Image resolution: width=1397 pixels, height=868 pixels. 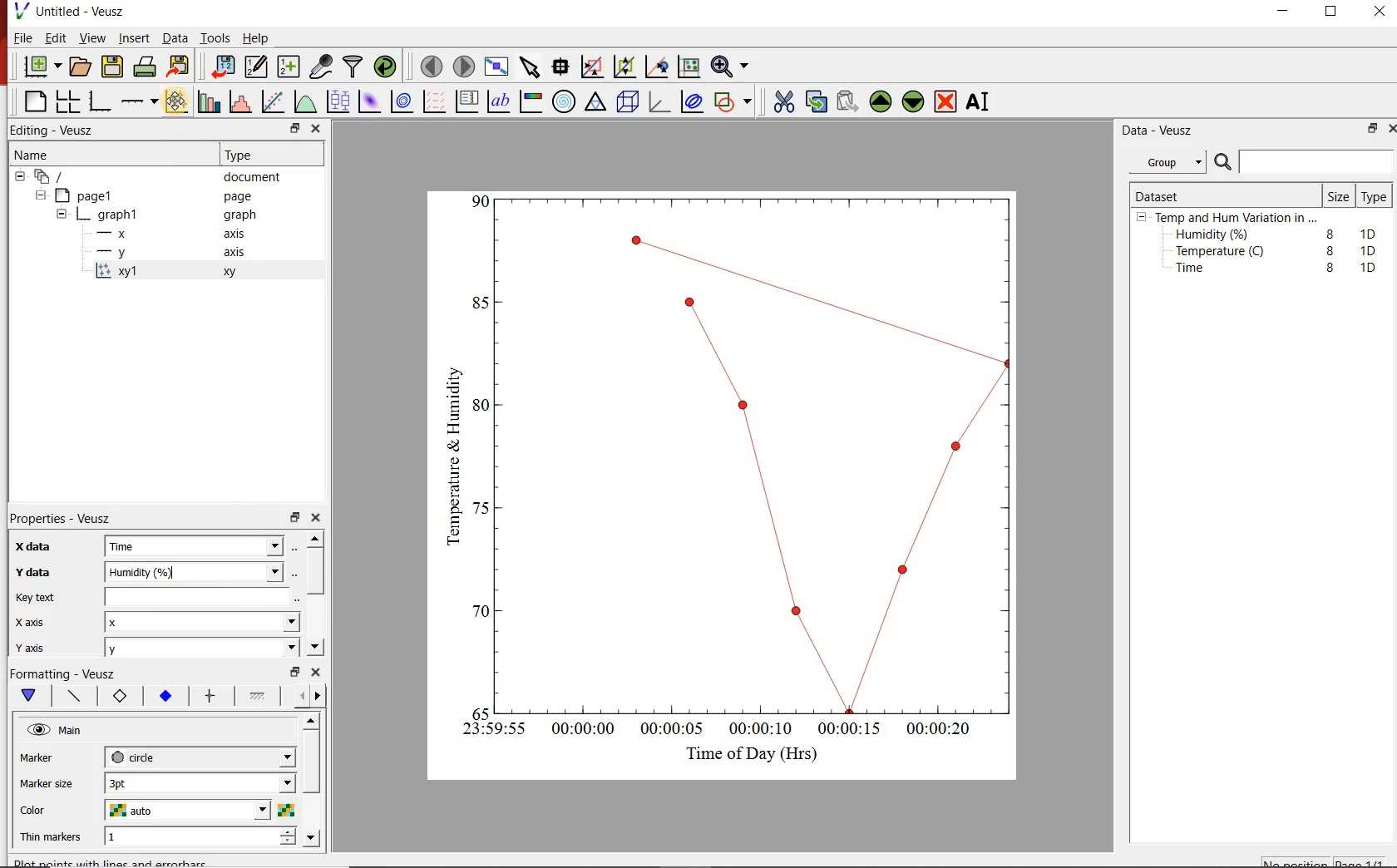 I want to click on 3pt, so click(x=137, y=782).